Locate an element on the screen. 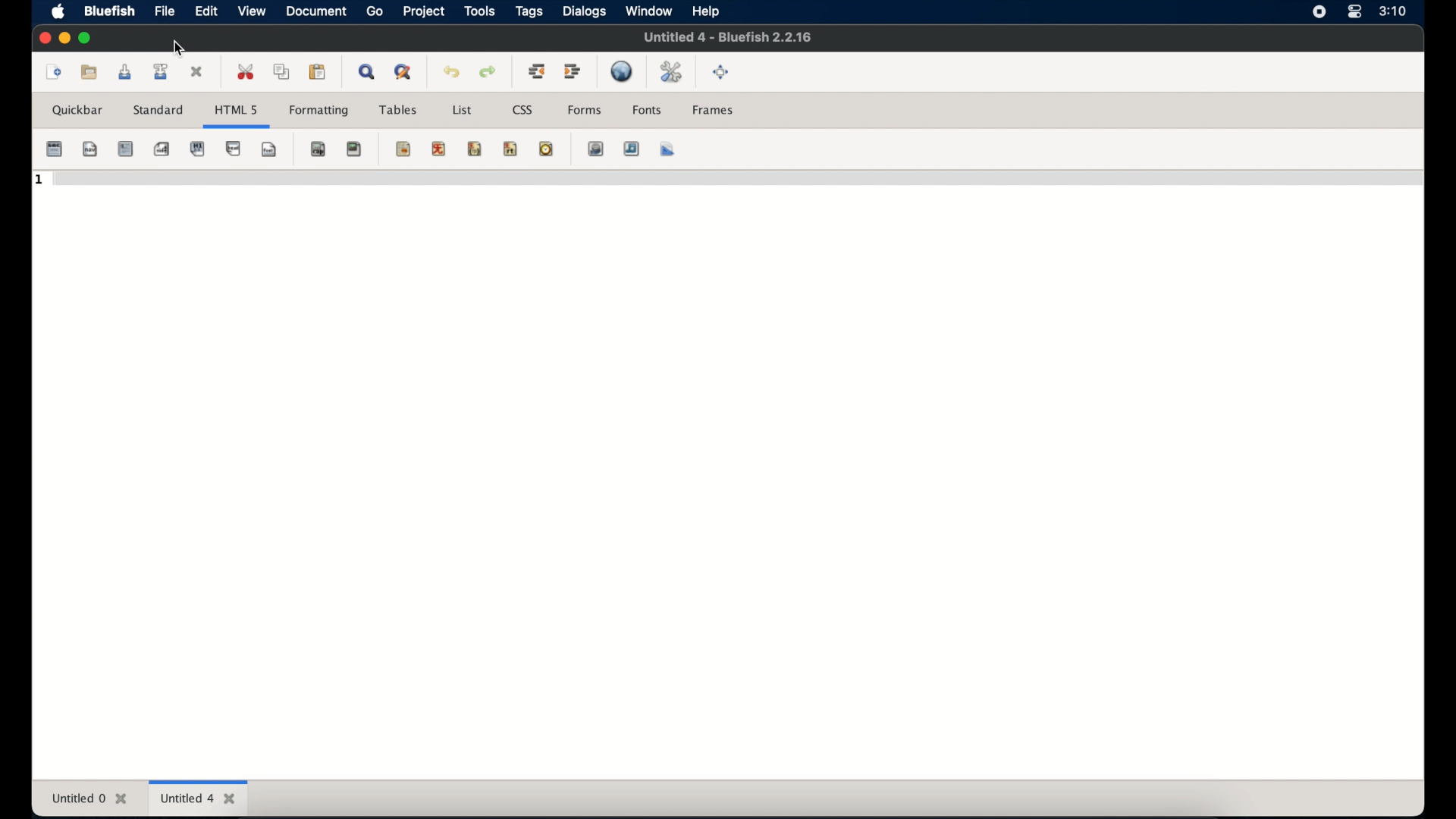 The image size is (1456, 819). insert  thumbnail is located at coordinates (632, 149).